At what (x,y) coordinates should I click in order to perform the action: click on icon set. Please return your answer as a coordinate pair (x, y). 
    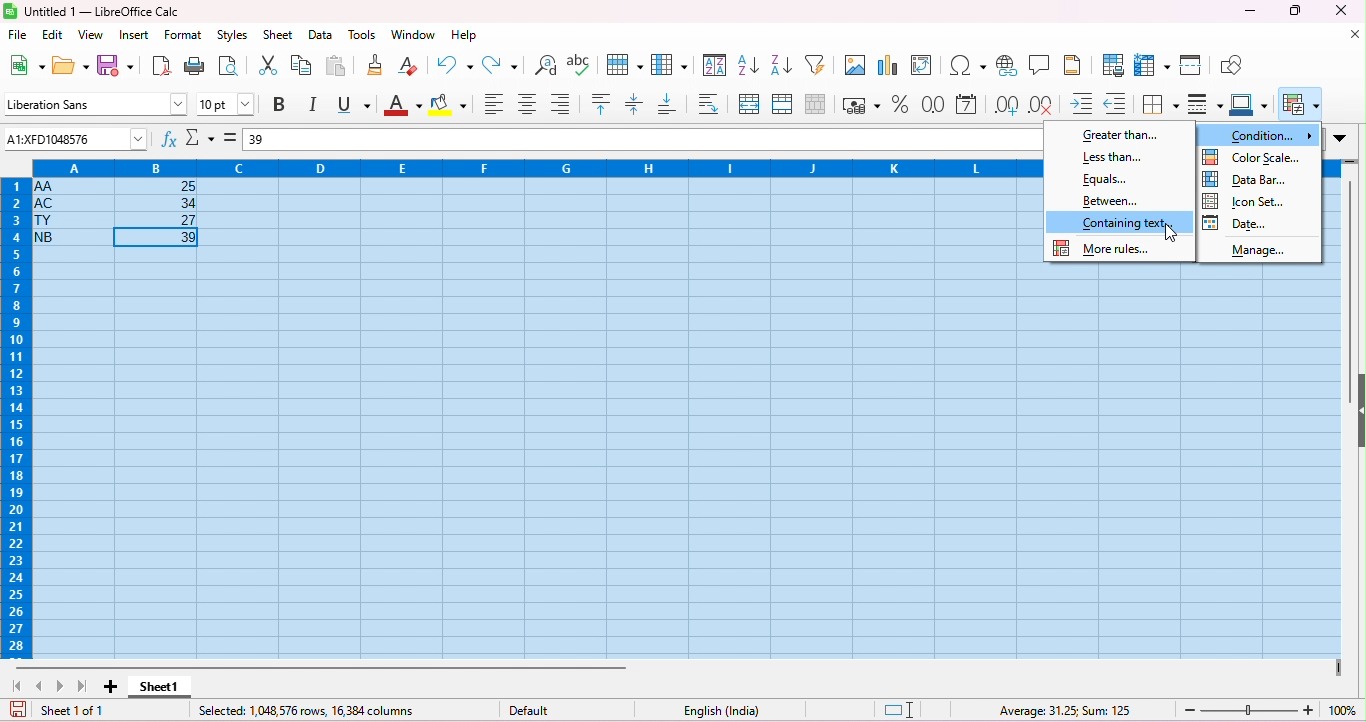
    Looking at the image, I should click on (1256, 201).